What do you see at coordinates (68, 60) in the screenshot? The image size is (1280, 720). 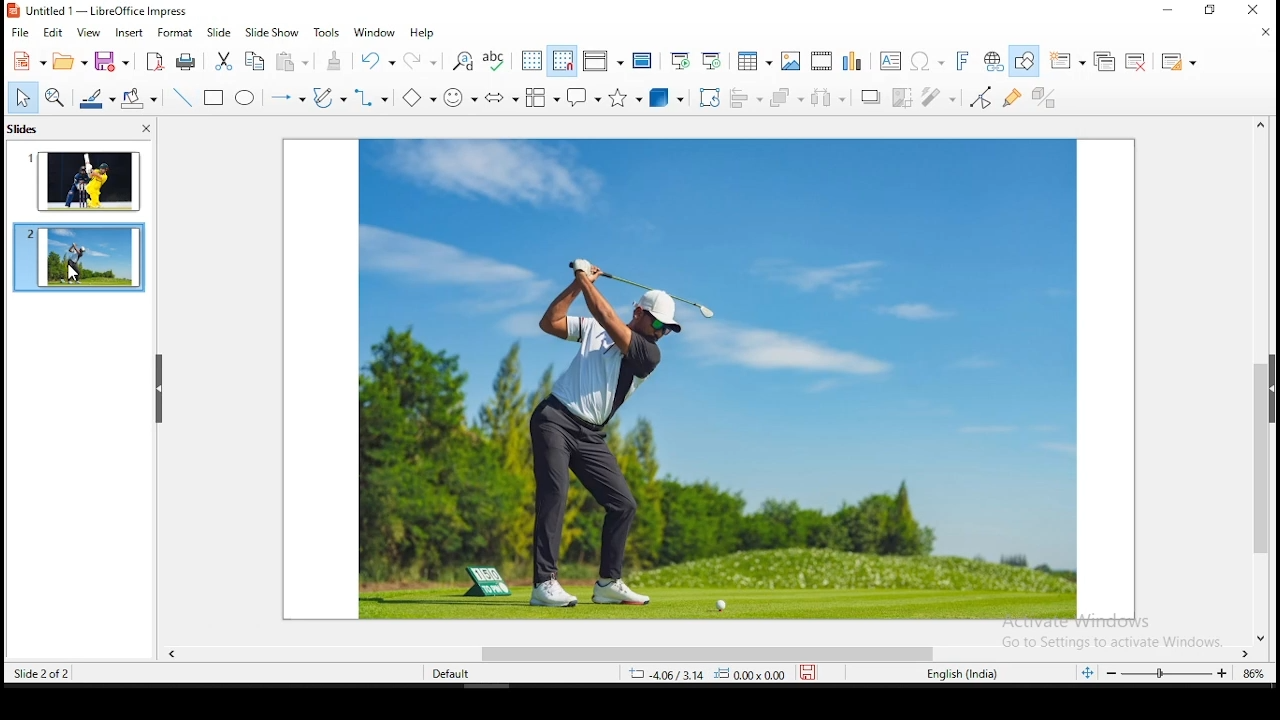 I see `open` at bounding box center [68, 60].